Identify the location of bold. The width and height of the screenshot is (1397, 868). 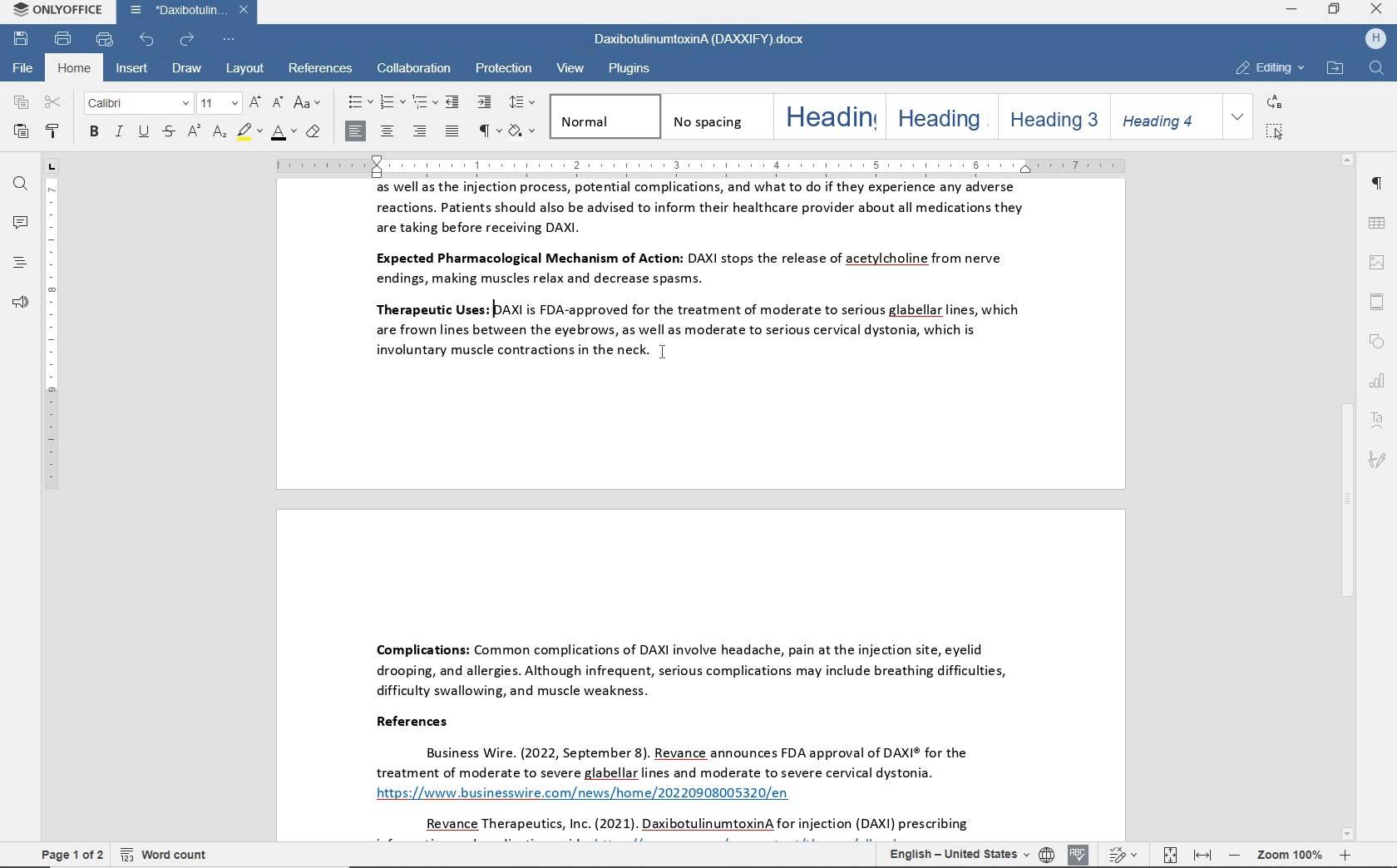
(93, 133).